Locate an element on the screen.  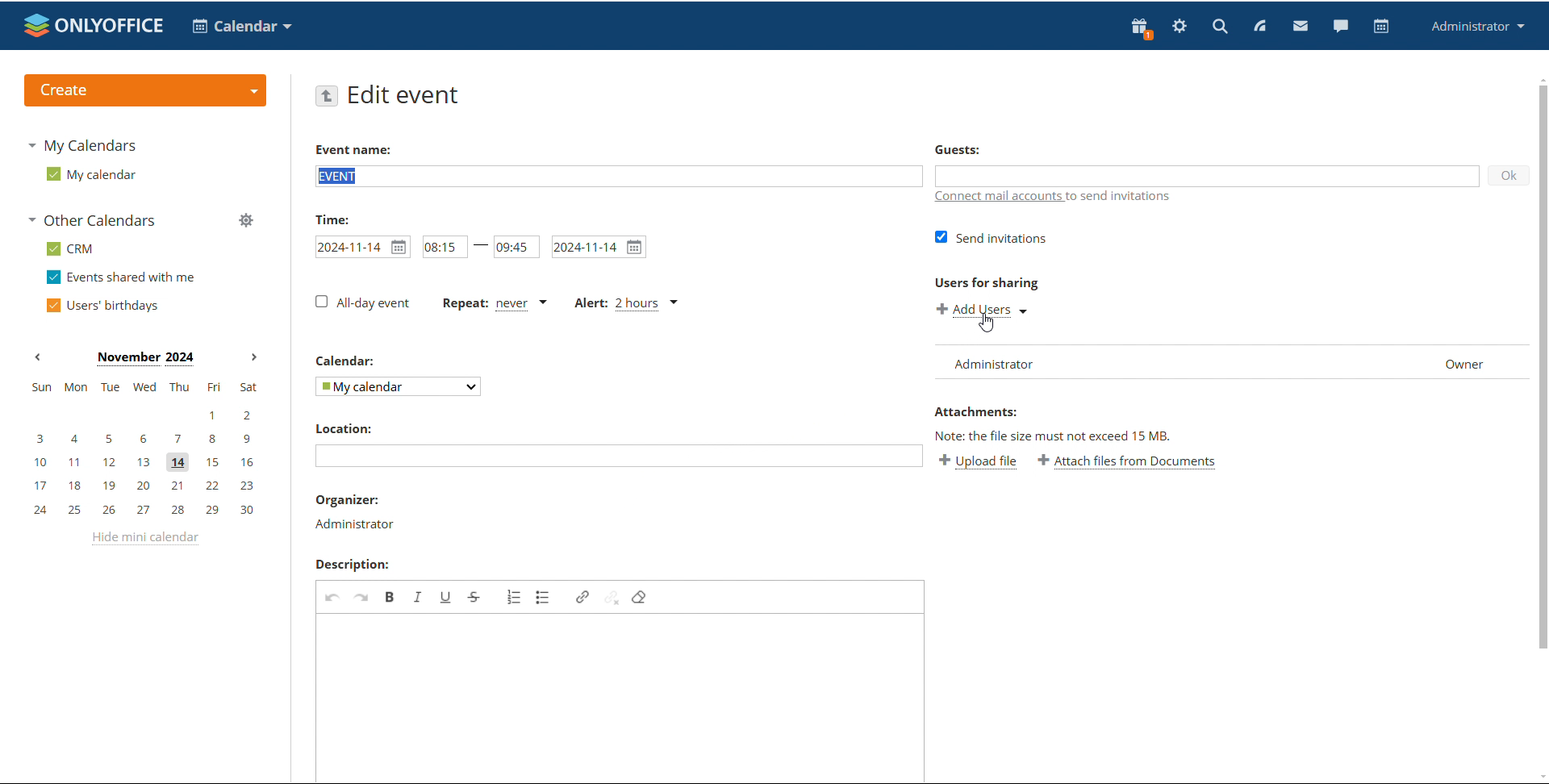
mon, tue, wed, thu, fri, sat, sun is located at coordinates (144, 386).